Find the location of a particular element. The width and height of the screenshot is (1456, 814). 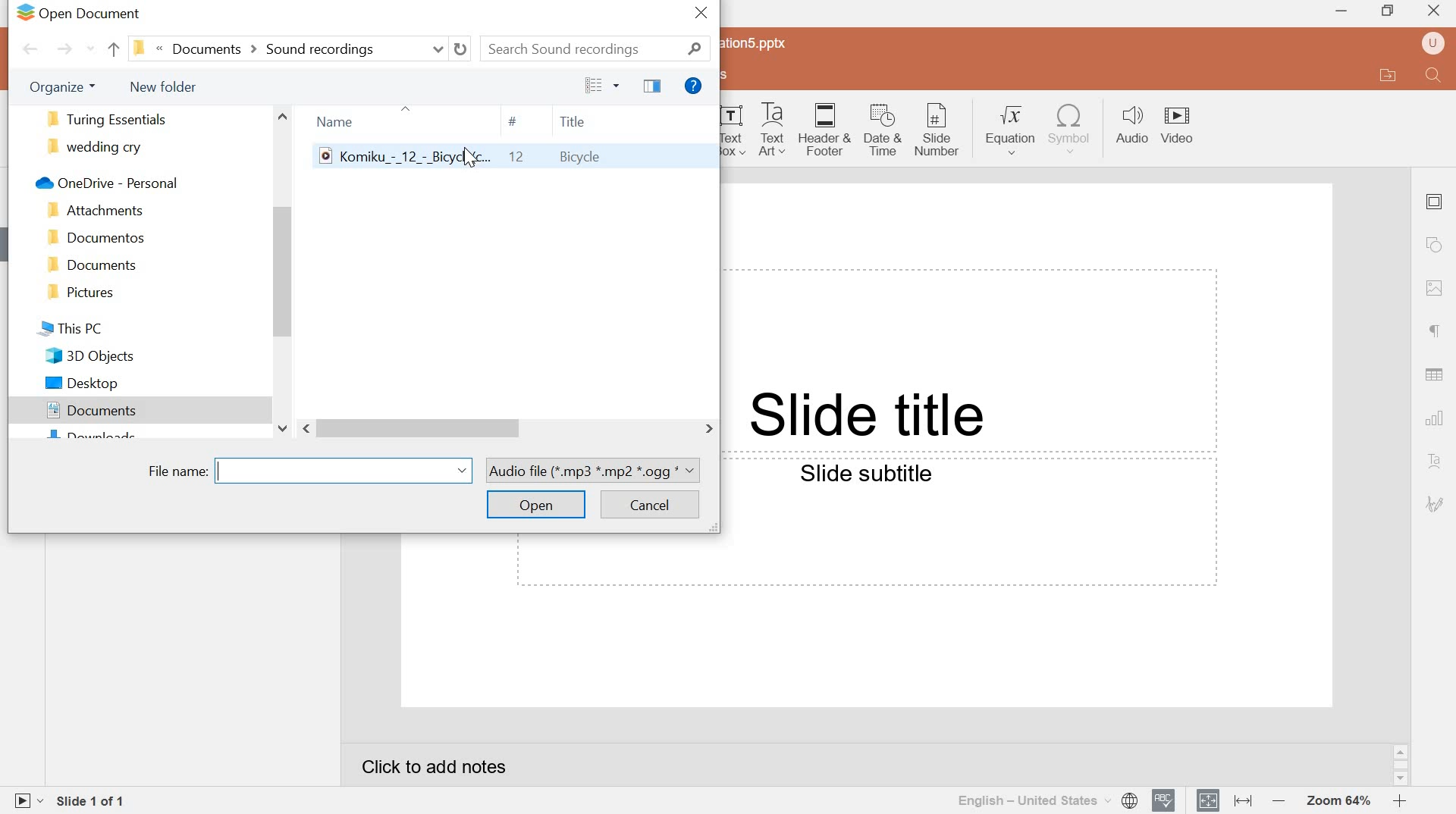

Zoom is located at coordinates (1337, 802).